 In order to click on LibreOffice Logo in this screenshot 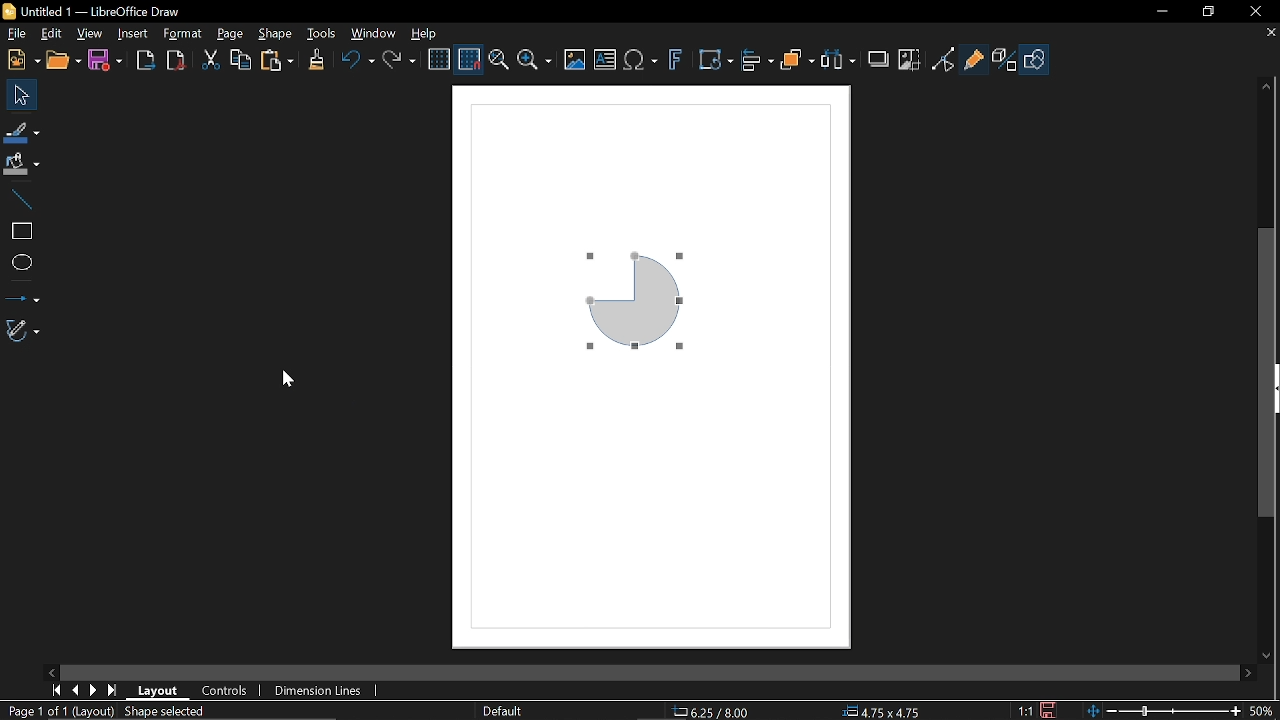, I will do `click(11, 12)`.